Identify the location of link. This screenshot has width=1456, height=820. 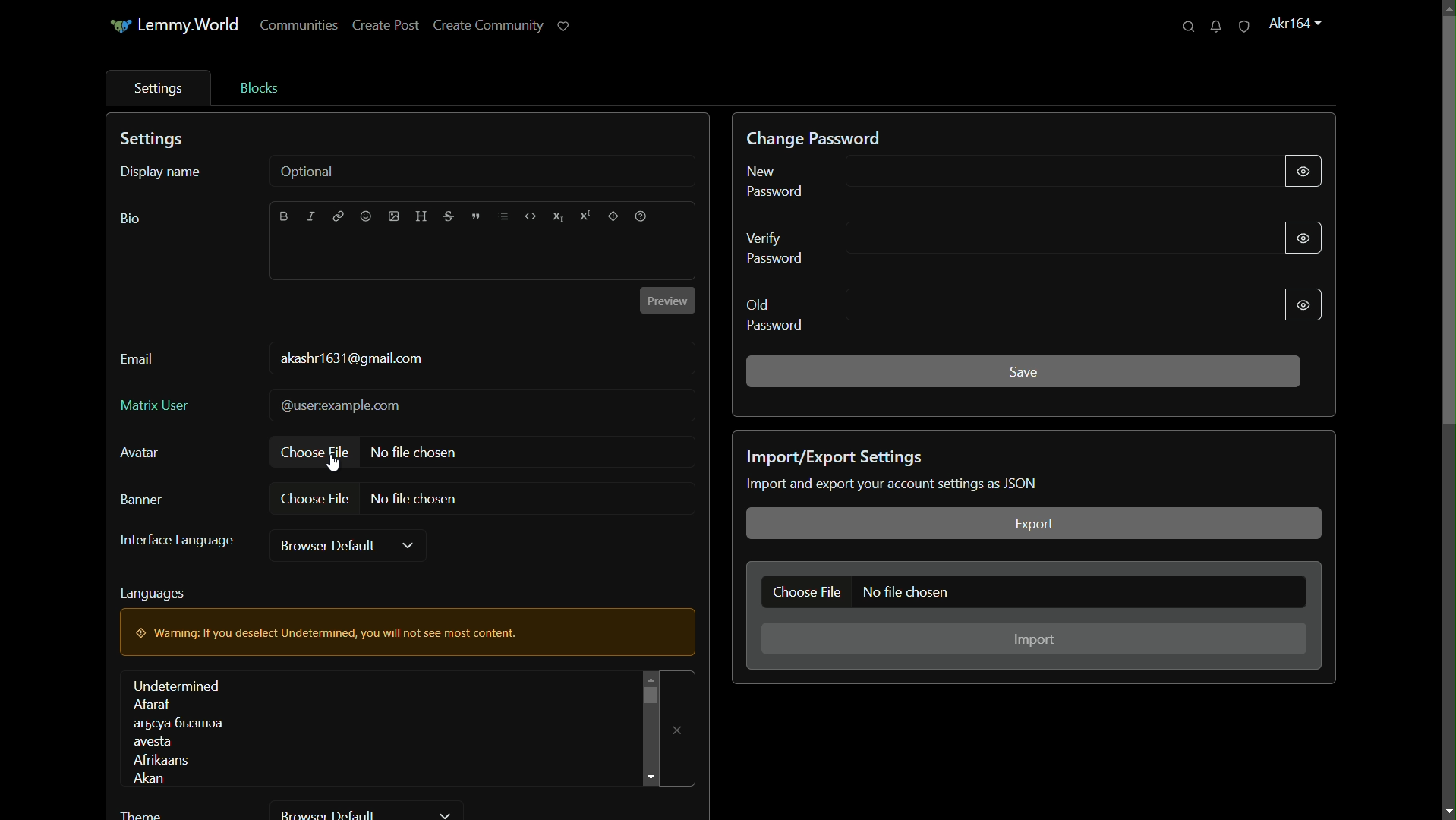
(338, 218).